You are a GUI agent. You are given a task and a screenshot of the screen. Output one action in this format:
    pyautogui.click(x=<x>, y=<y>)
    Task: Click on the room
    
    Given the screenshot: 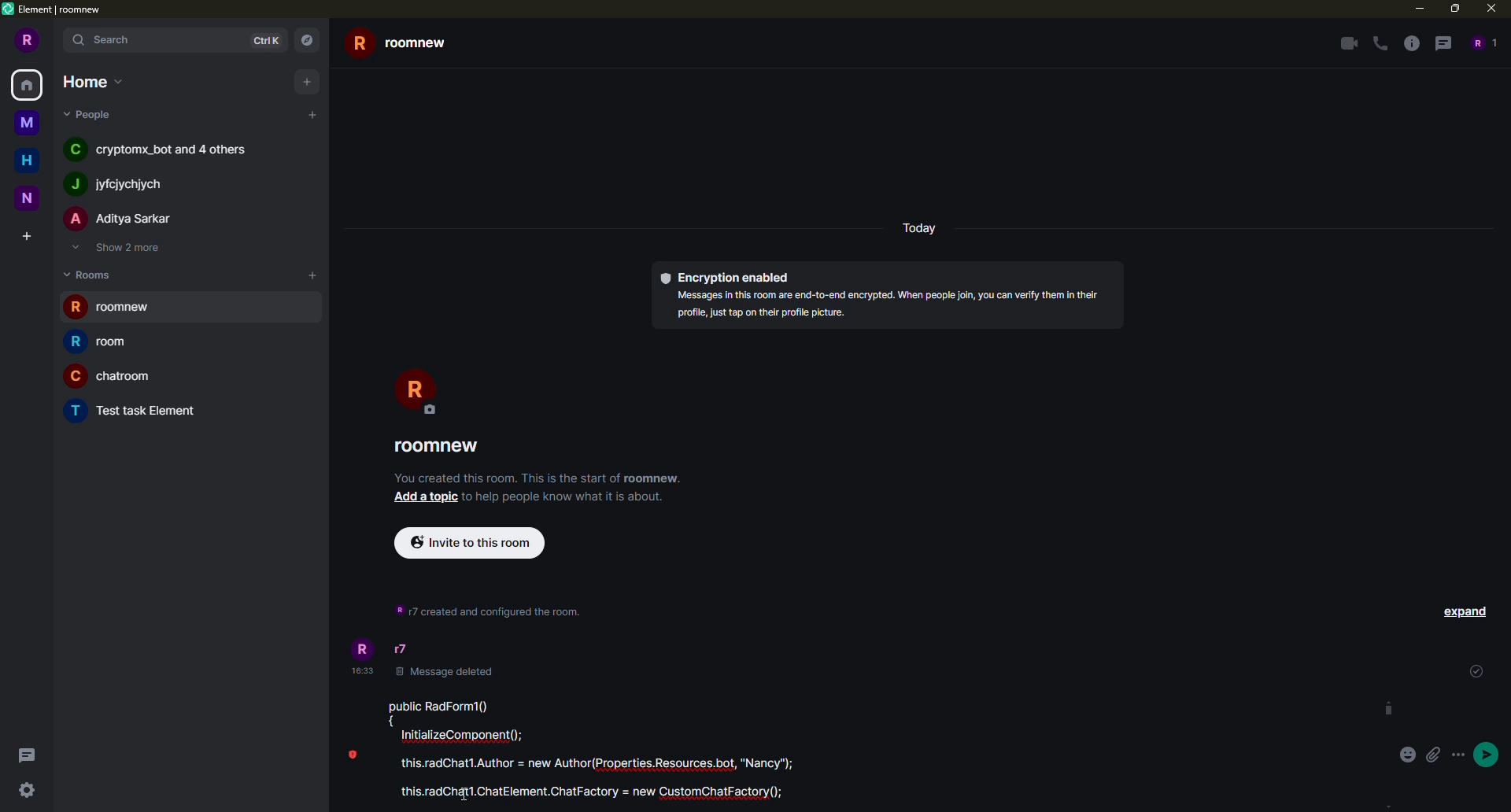 What is the action you would take?
    pyautogui.click(x=444, y=446)
    